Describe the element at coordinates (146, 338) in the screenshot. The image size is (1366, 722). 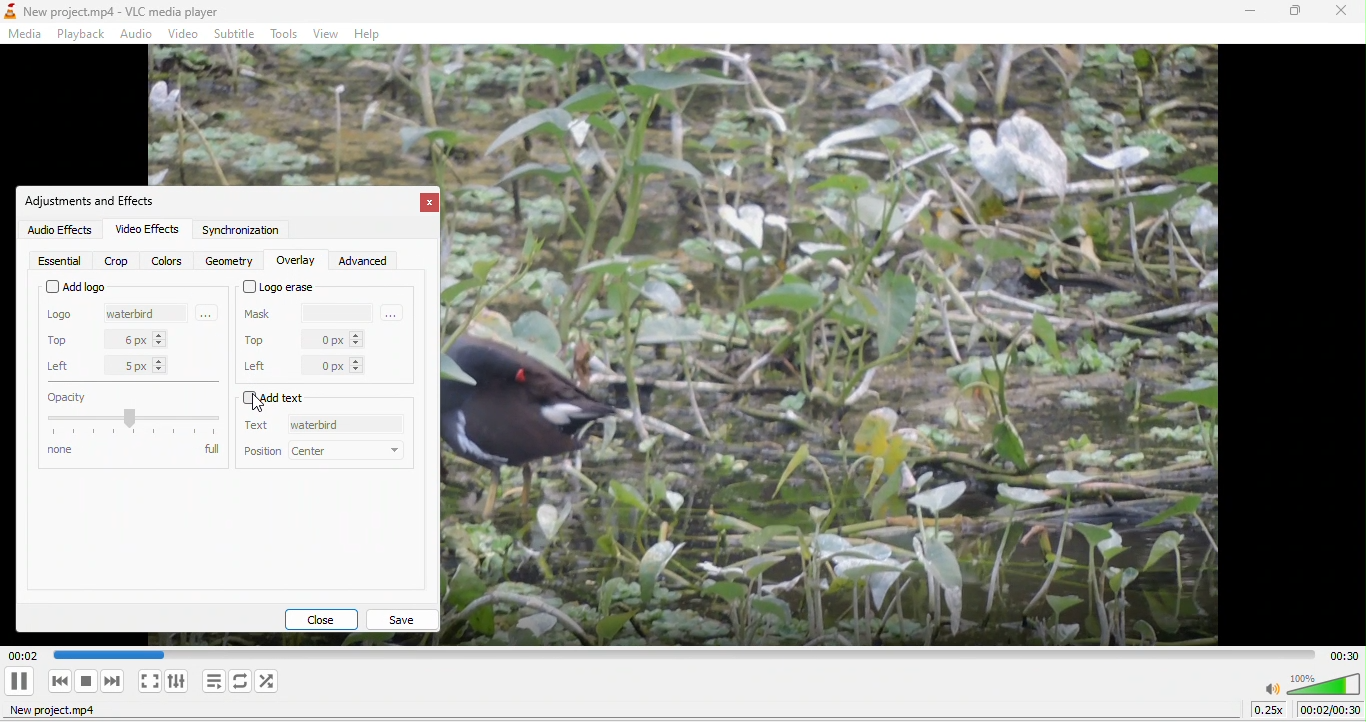
I see ` 6 px` at that location.